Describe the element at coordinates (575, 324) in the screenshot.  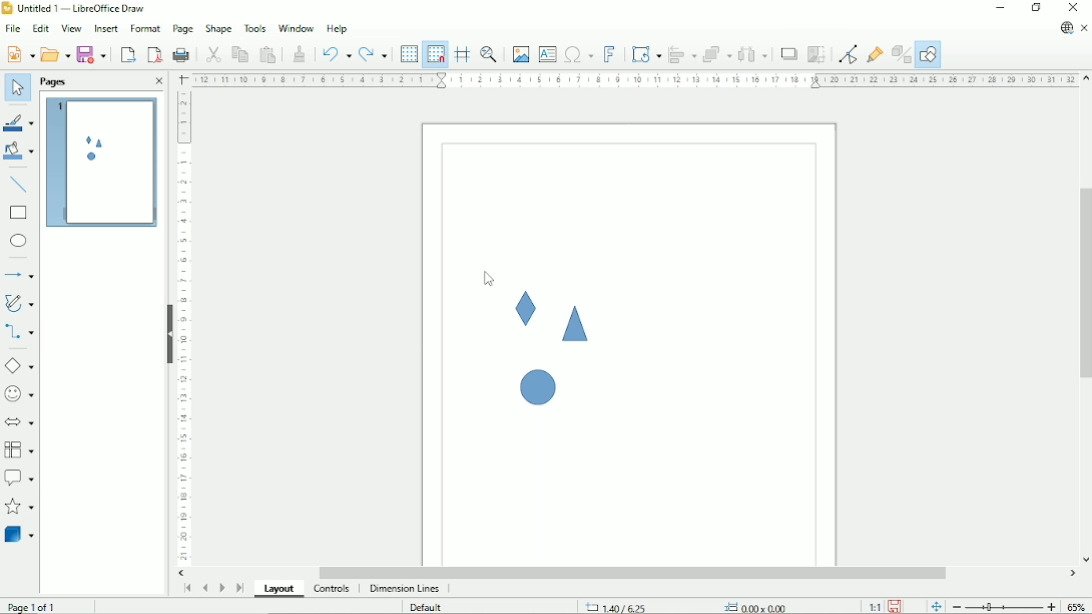
I see `Shape` at that location.